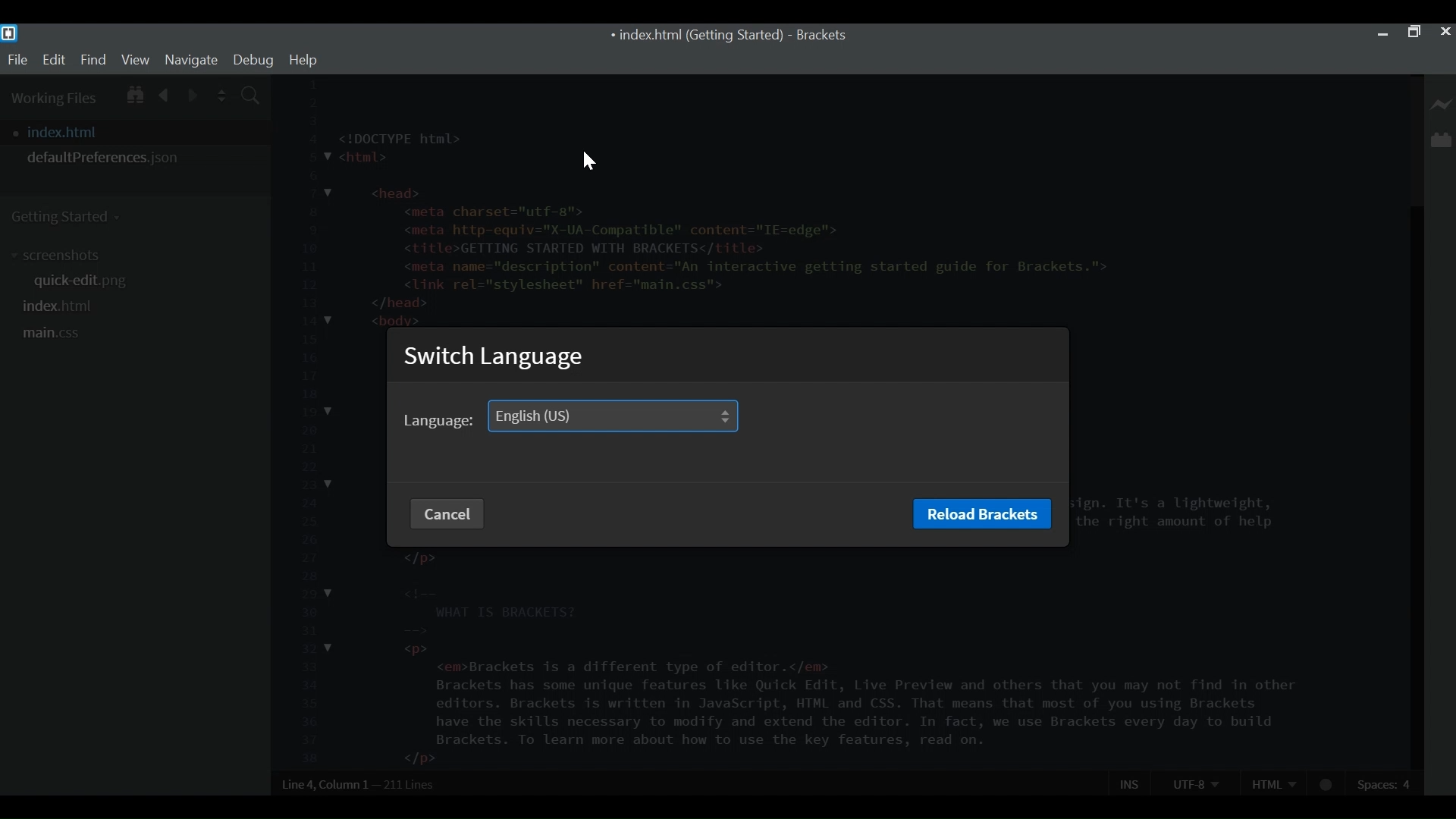 The image size is (1456, 819). Describe the element at coordinates (60, 306) in the screenshot. I see `index.html` at that location.